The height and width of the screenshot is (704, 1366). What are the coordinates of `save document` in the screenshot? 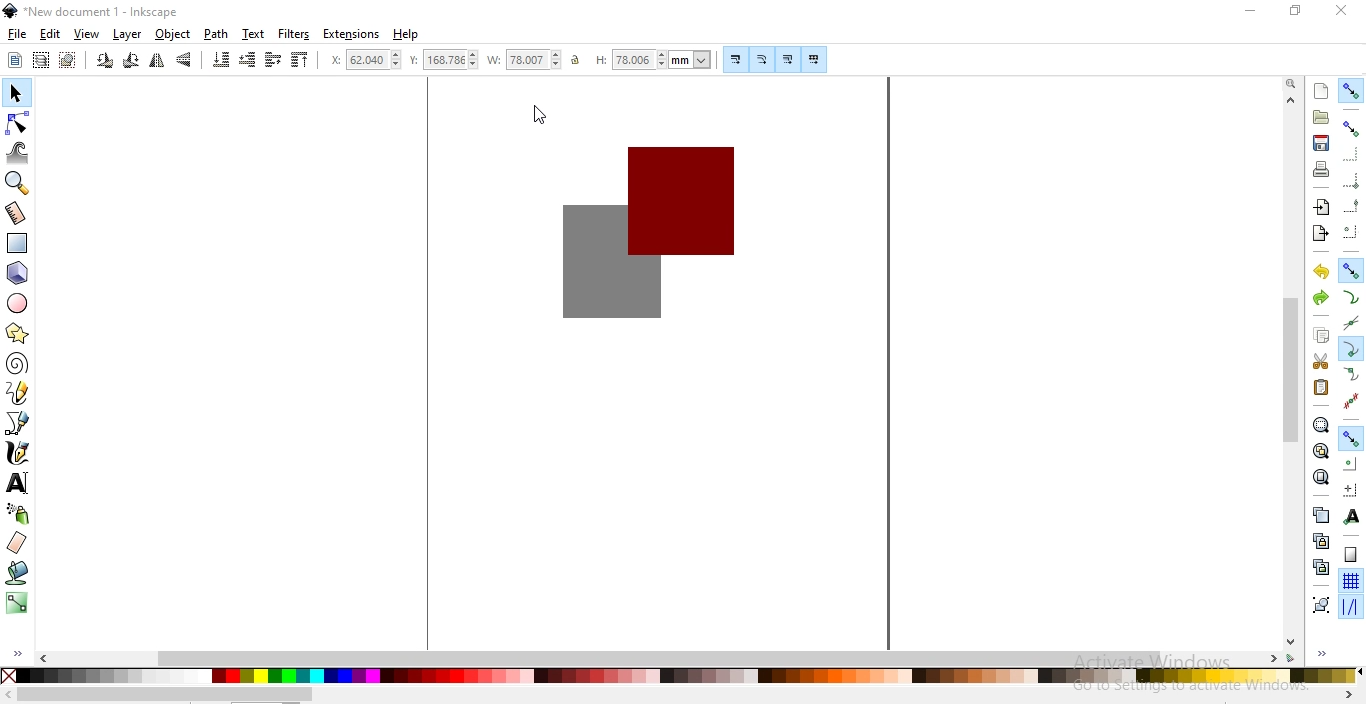 It's located at (1319, 143).